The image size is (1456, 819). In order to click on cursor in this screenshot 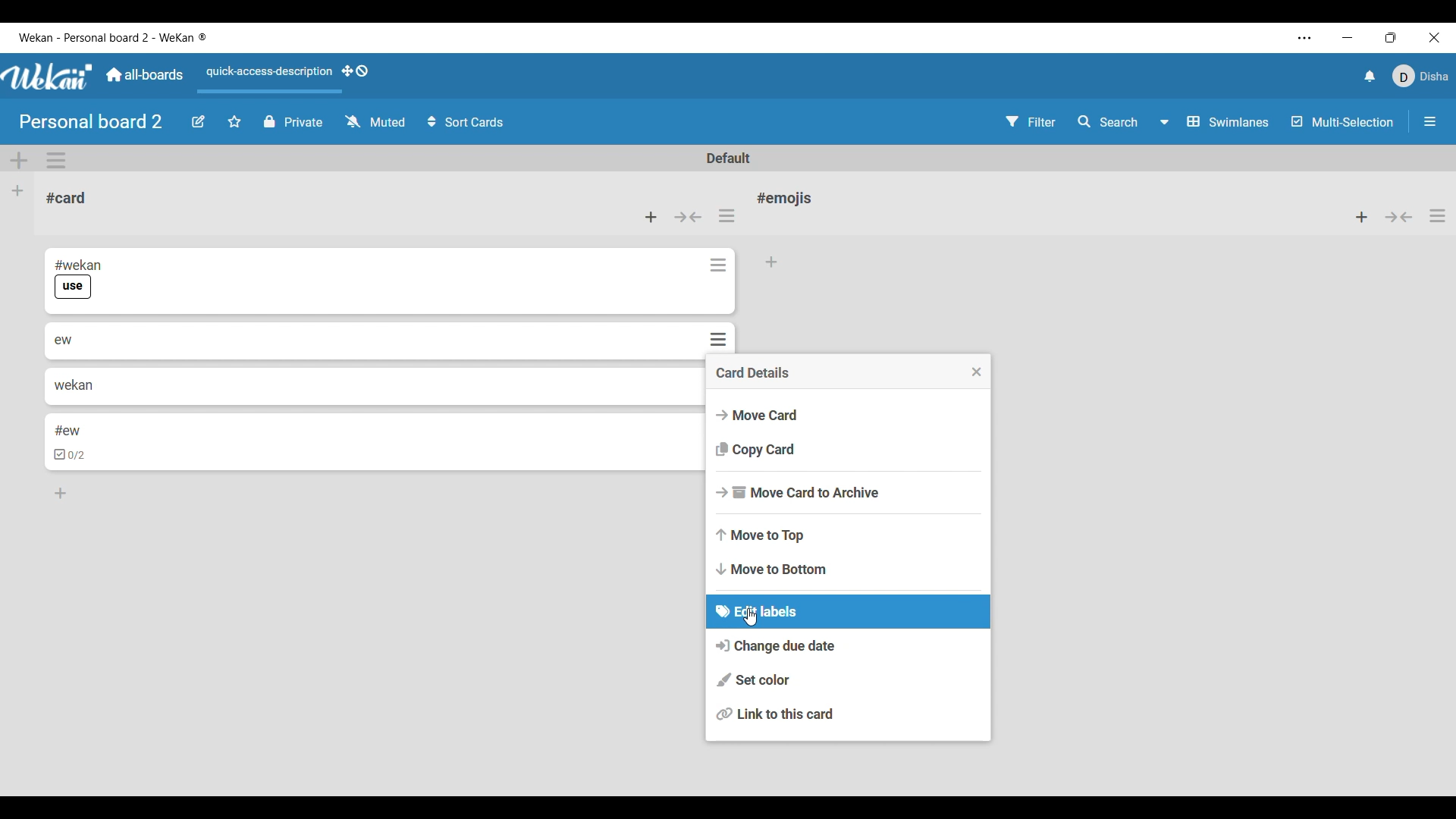, I will do `click(751, 615)`.